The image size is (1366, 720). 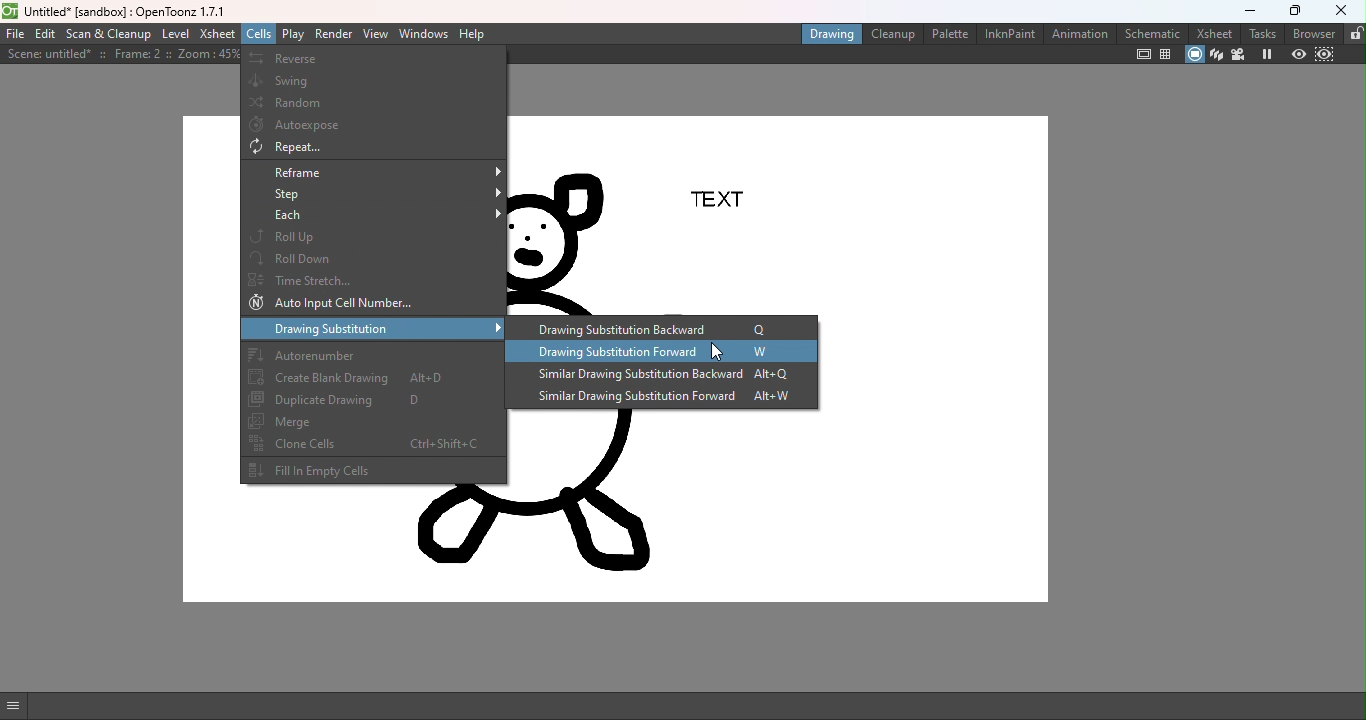 What do you see at coordinates (1353, 33) in the screenshot?
I see `lock rooms tab` at bounding box center [1353, 33].